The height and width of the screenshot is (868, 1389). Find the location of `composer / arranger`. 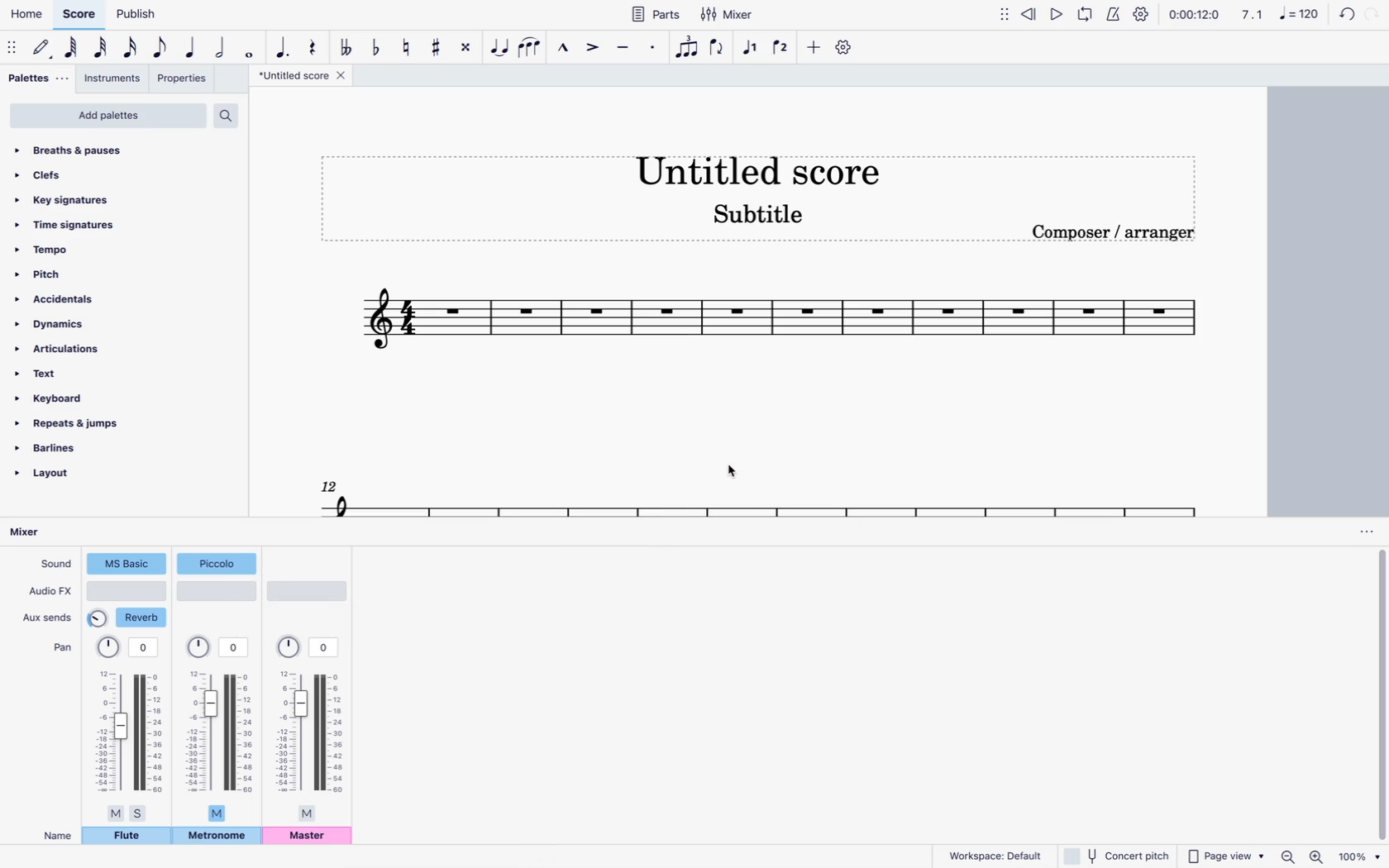

composer / arranger is located at coordinates (1124, 236).